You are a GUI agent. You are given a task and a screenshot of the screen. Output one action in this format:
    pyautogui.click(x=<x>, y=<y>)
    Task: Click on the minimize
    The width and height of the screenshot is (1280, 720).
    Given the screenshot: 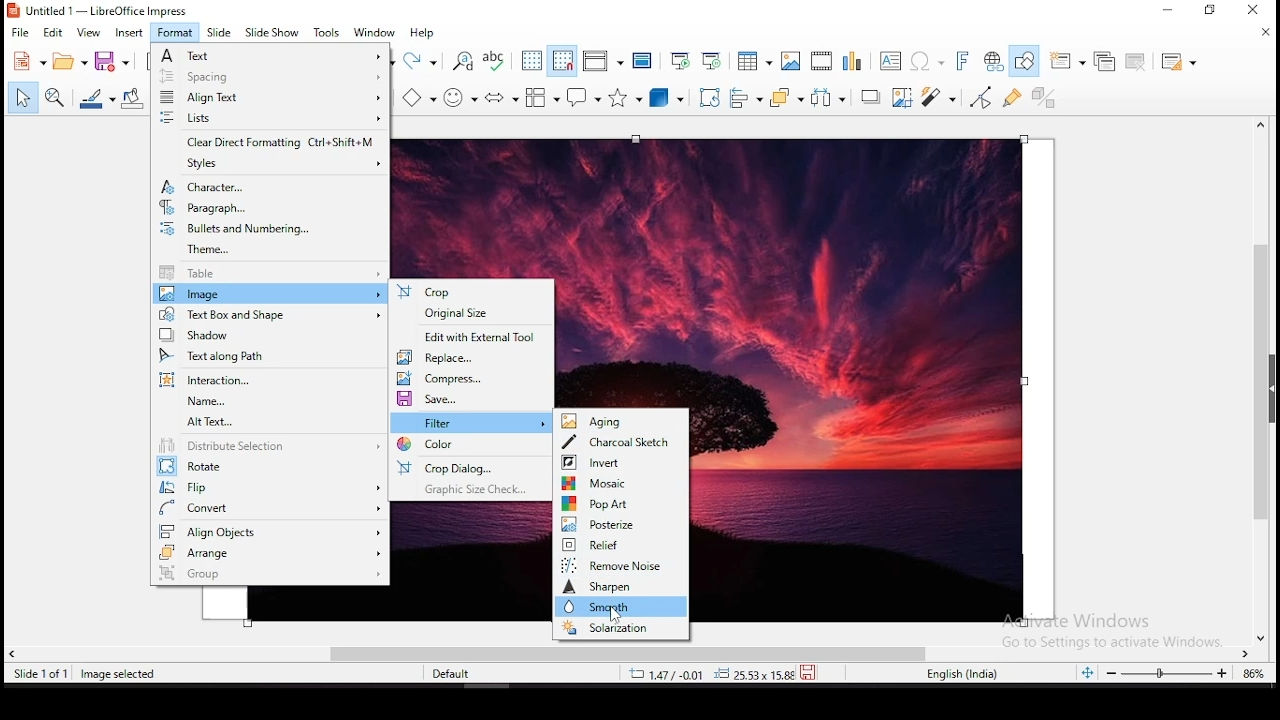 What is the action you would take?
    pyautogui.click(x=1172, y=10)
    